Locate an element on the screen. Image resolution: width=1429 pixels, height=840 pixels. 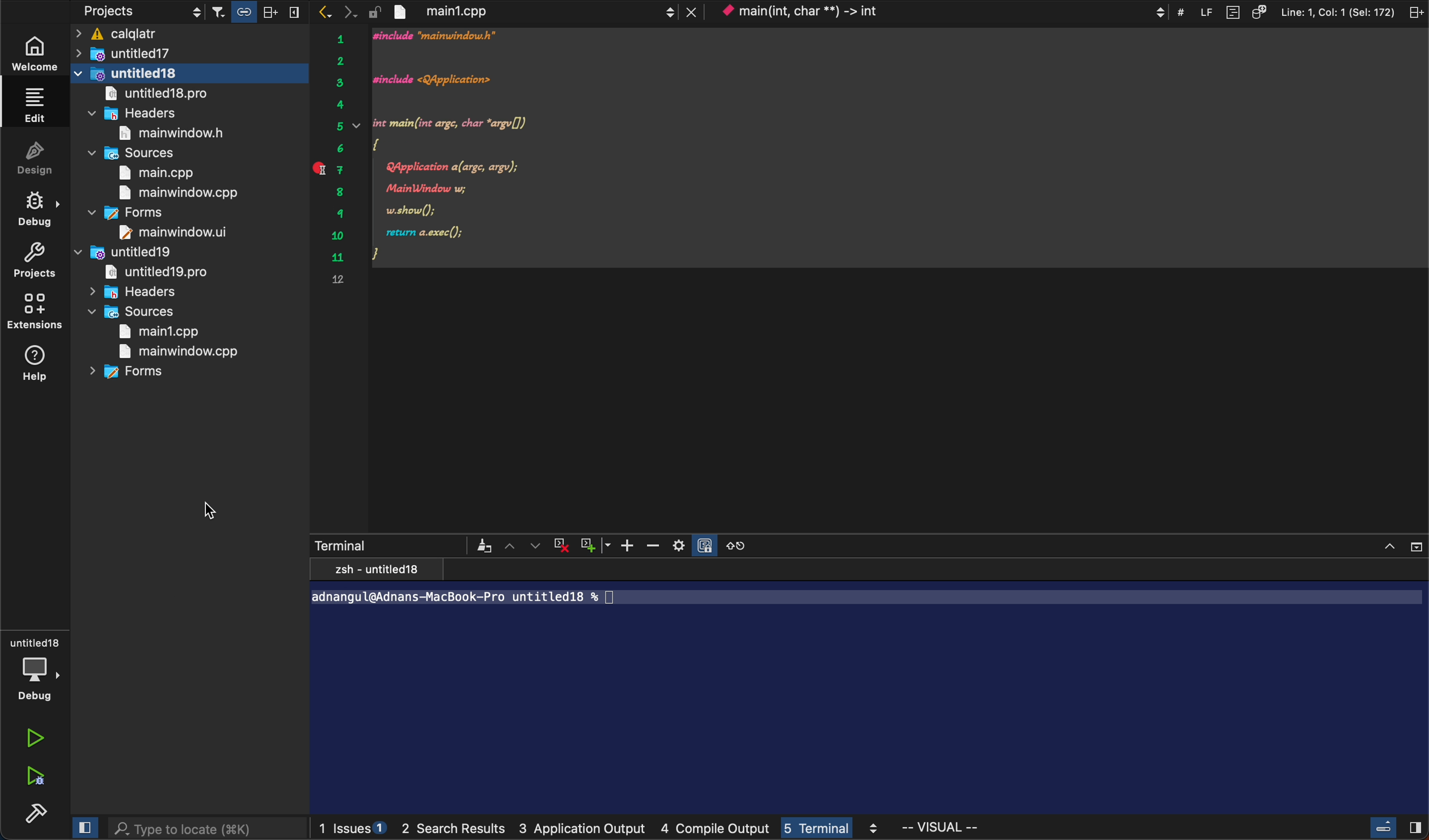
arrows is located at coordinates (525, 545).